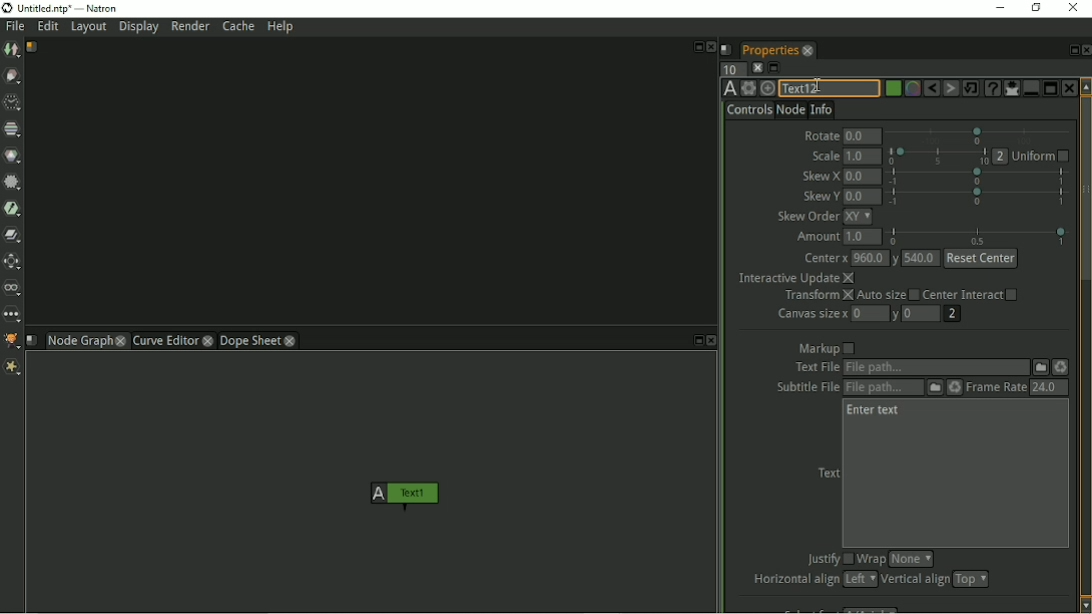  Describe the element at coordinates (817, 83) in the screenshot. I see `cursor` at that location.